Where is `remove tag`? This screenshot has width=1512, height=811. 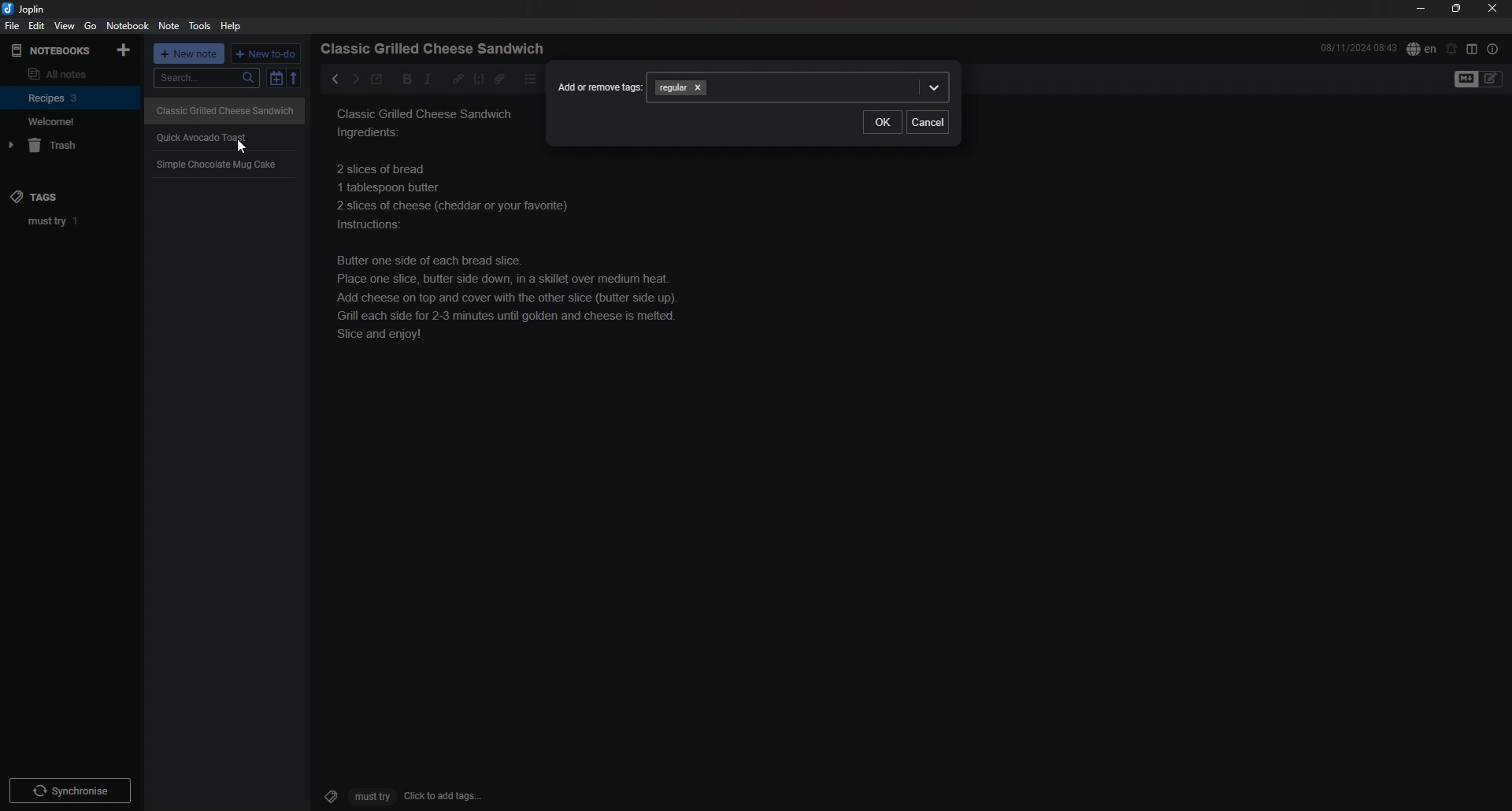
remove tag is located at coordinates (699, 88).